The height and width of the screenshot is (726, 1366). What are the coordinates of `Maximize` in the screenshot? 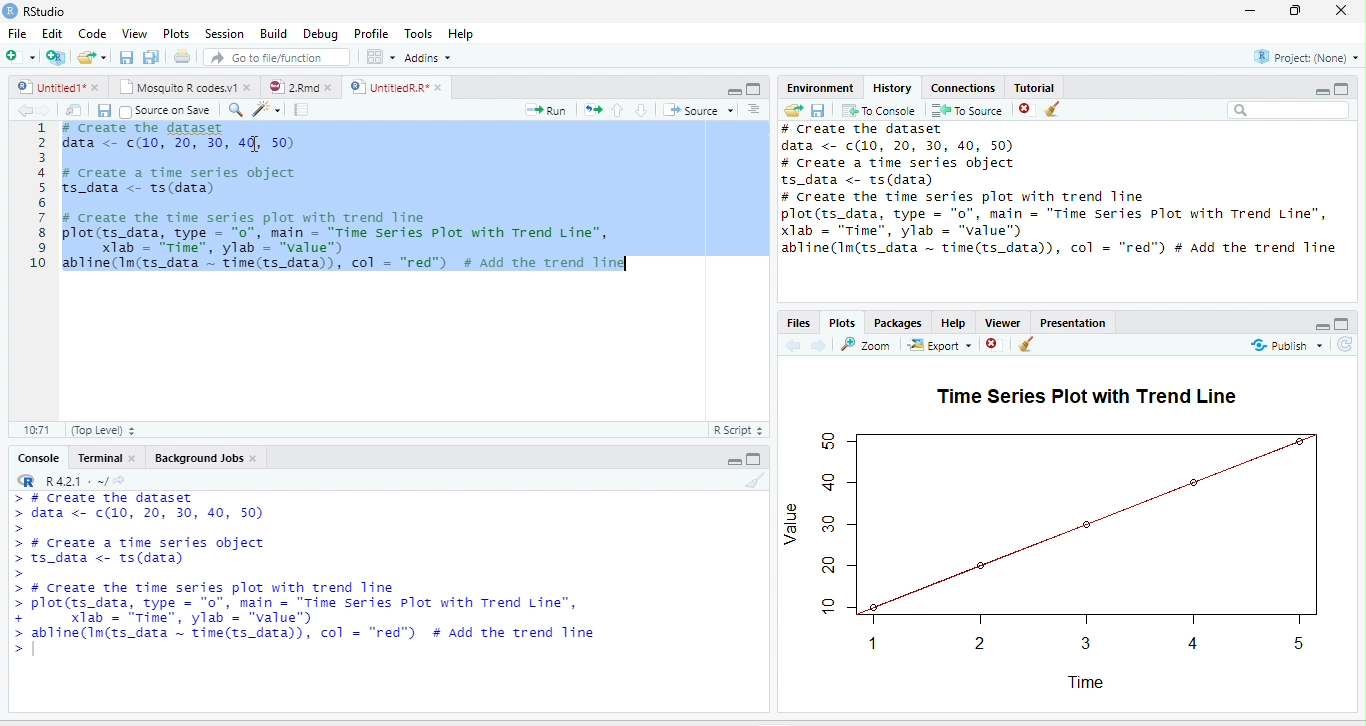 It's located at (755, 459).